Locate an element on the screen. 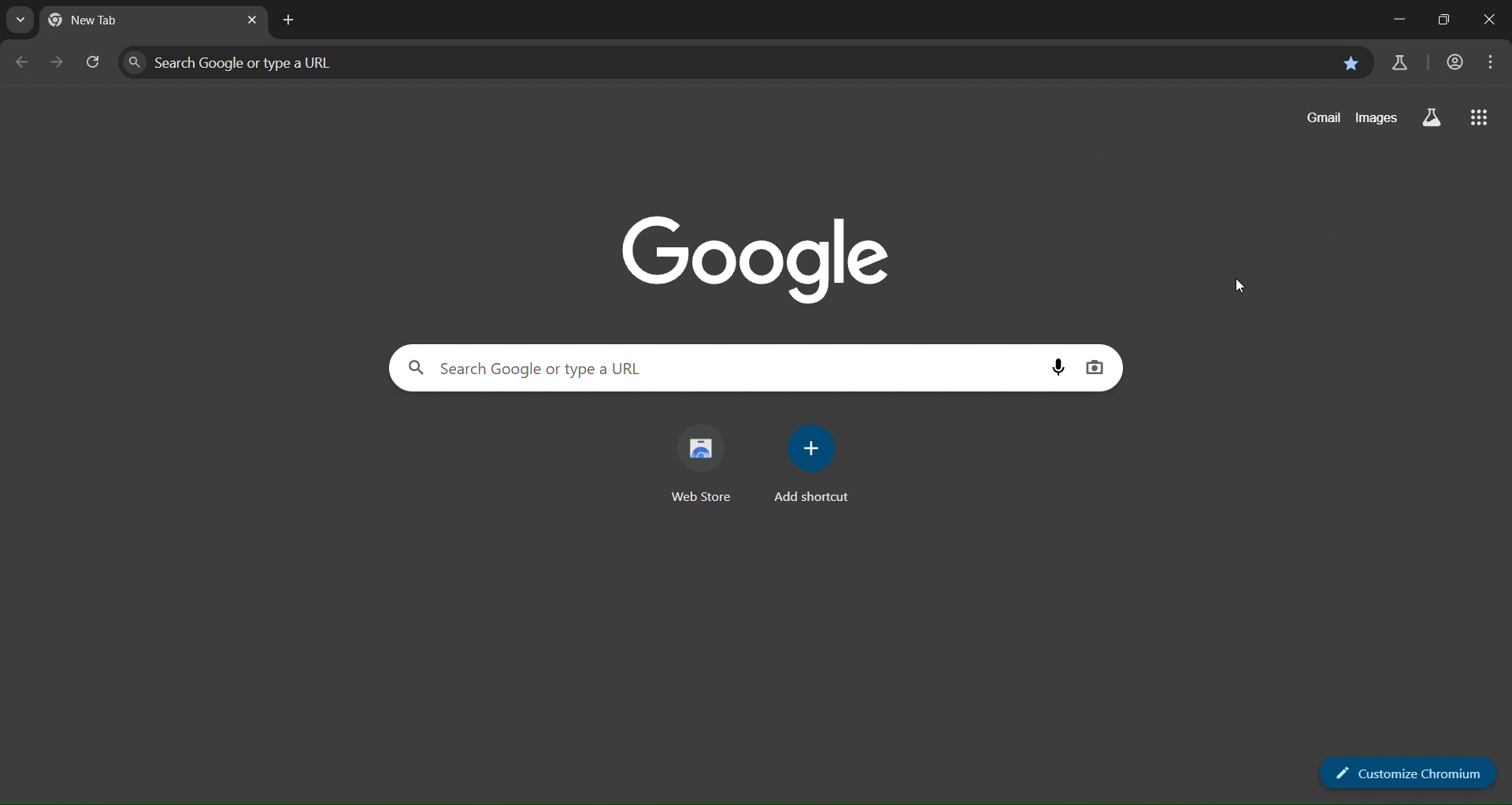  restore down is located at coordinates (1443, 18).